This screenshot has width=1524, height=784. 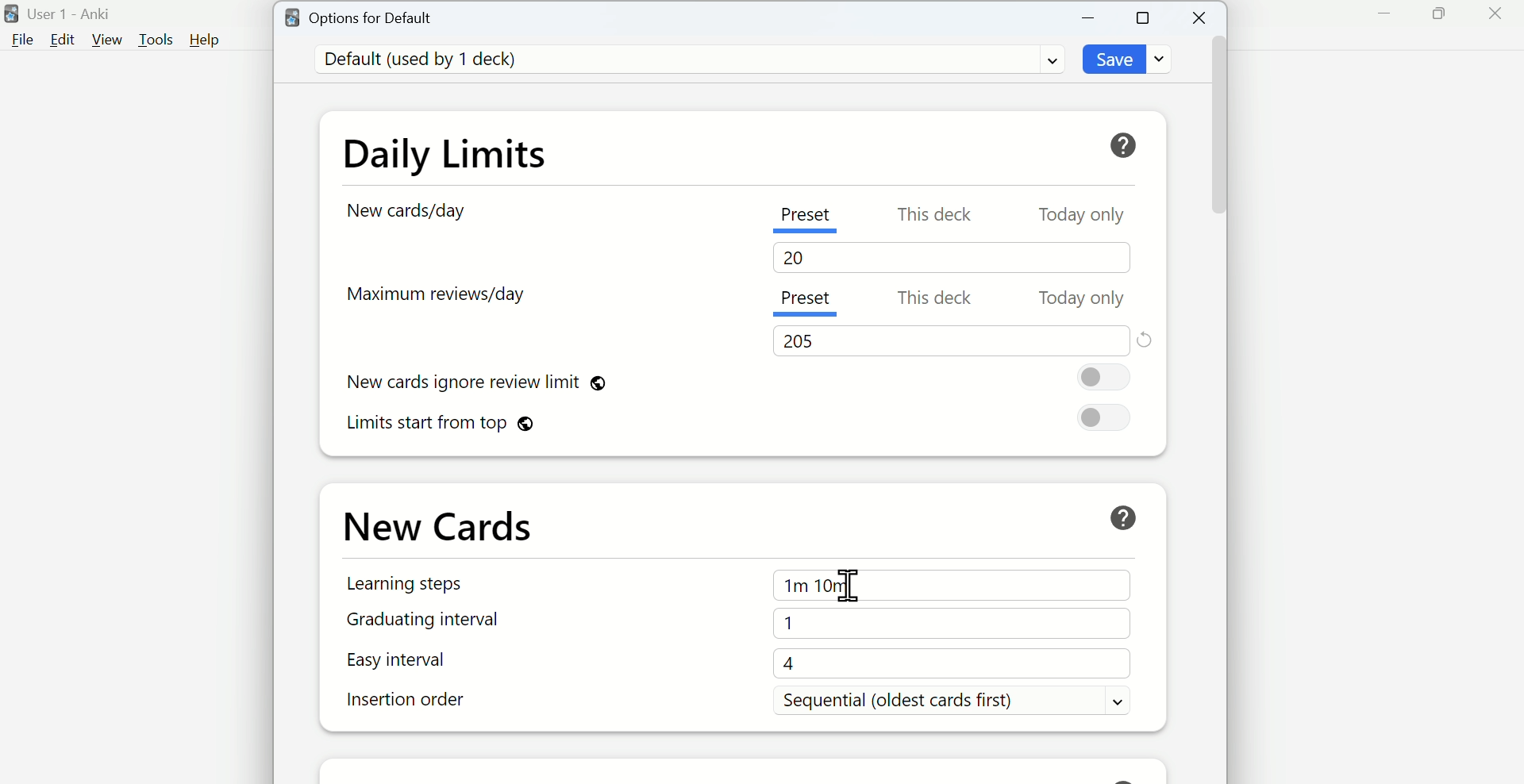 I want to click on Close, so click(x=1199, y=16).